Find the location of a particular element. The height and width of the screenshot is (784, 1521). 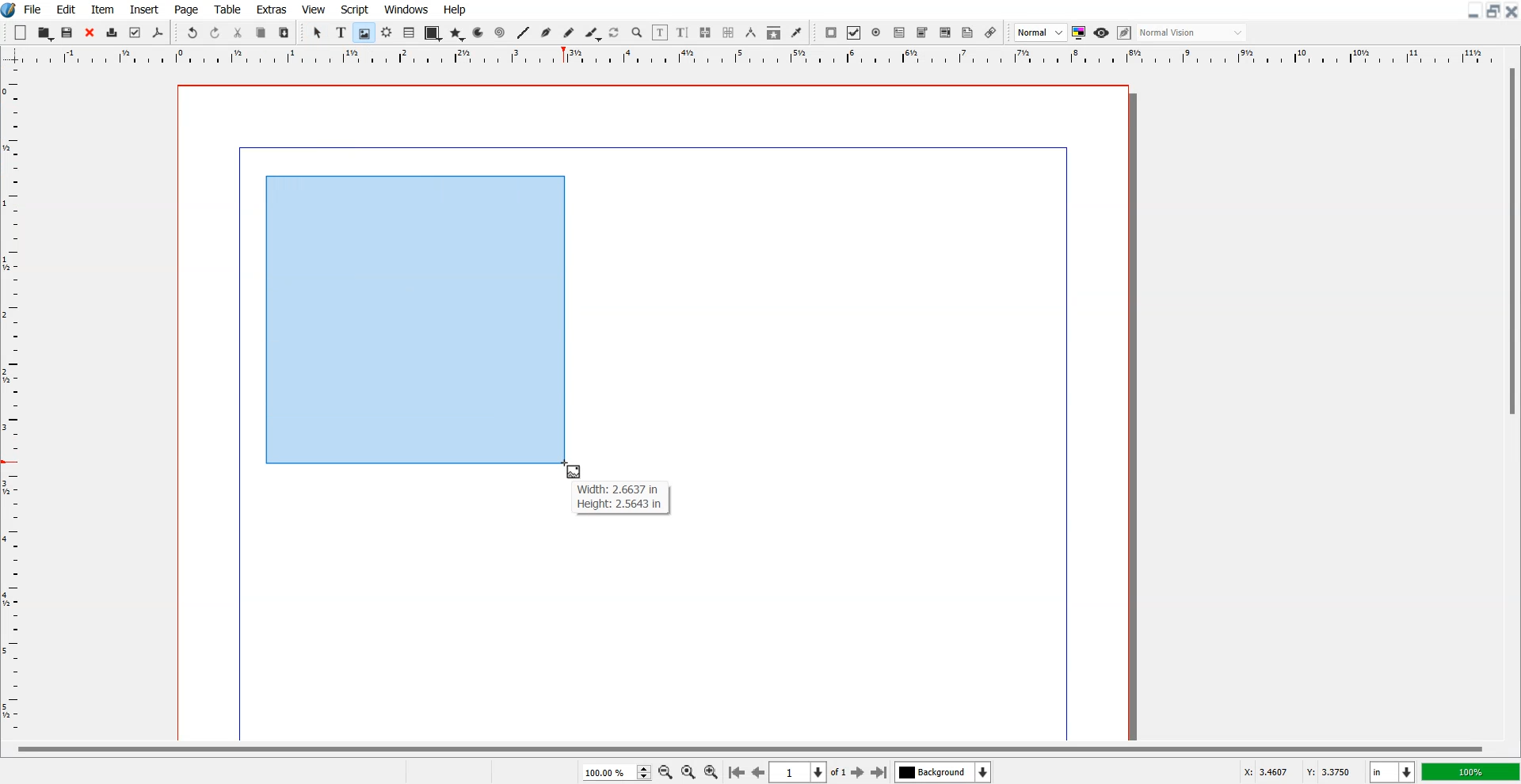

Polygon is located at coordinates (457, 35).